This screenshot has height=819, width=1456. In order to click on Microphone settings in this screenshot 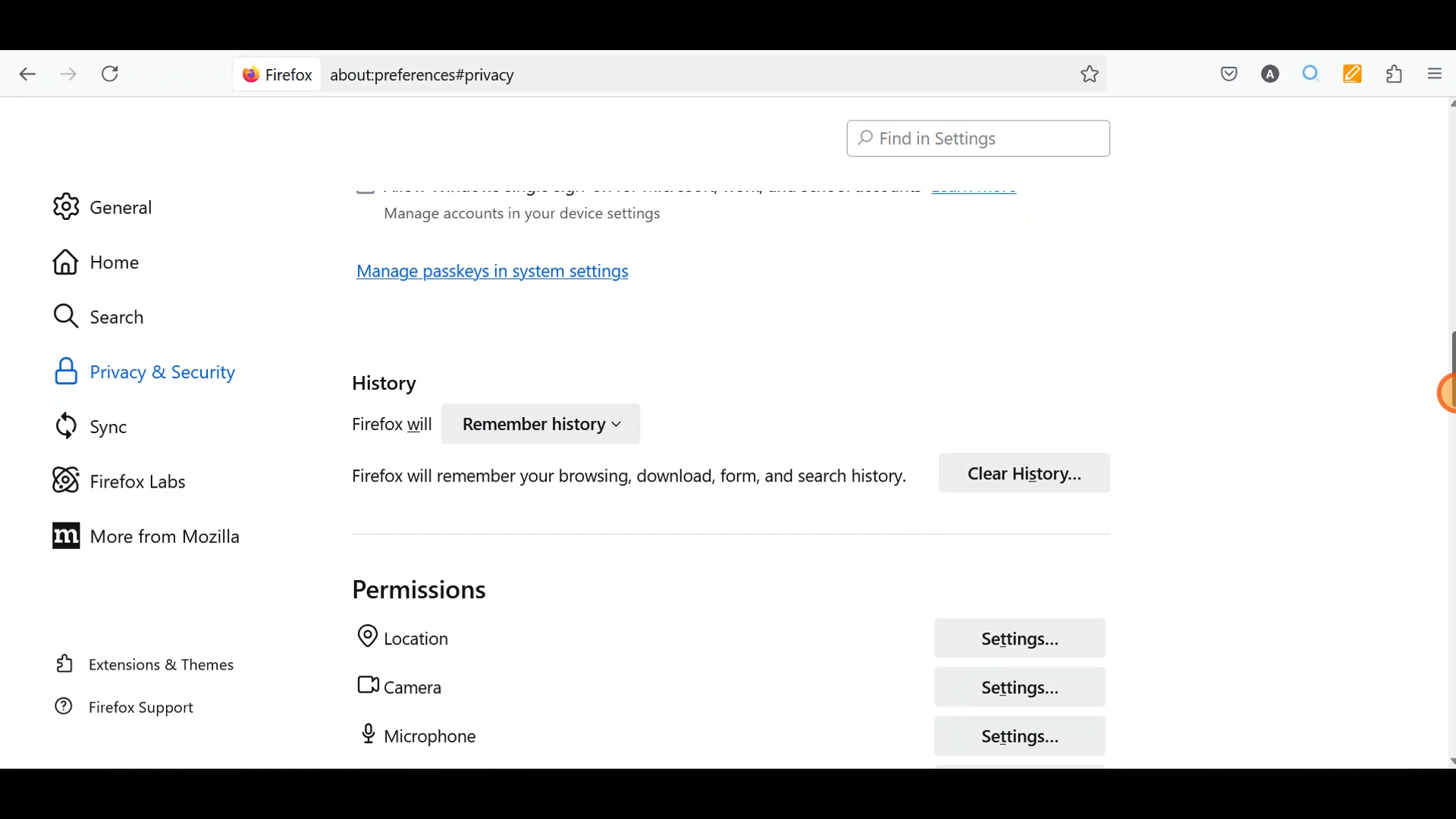, I will do `click(713, 735)`.